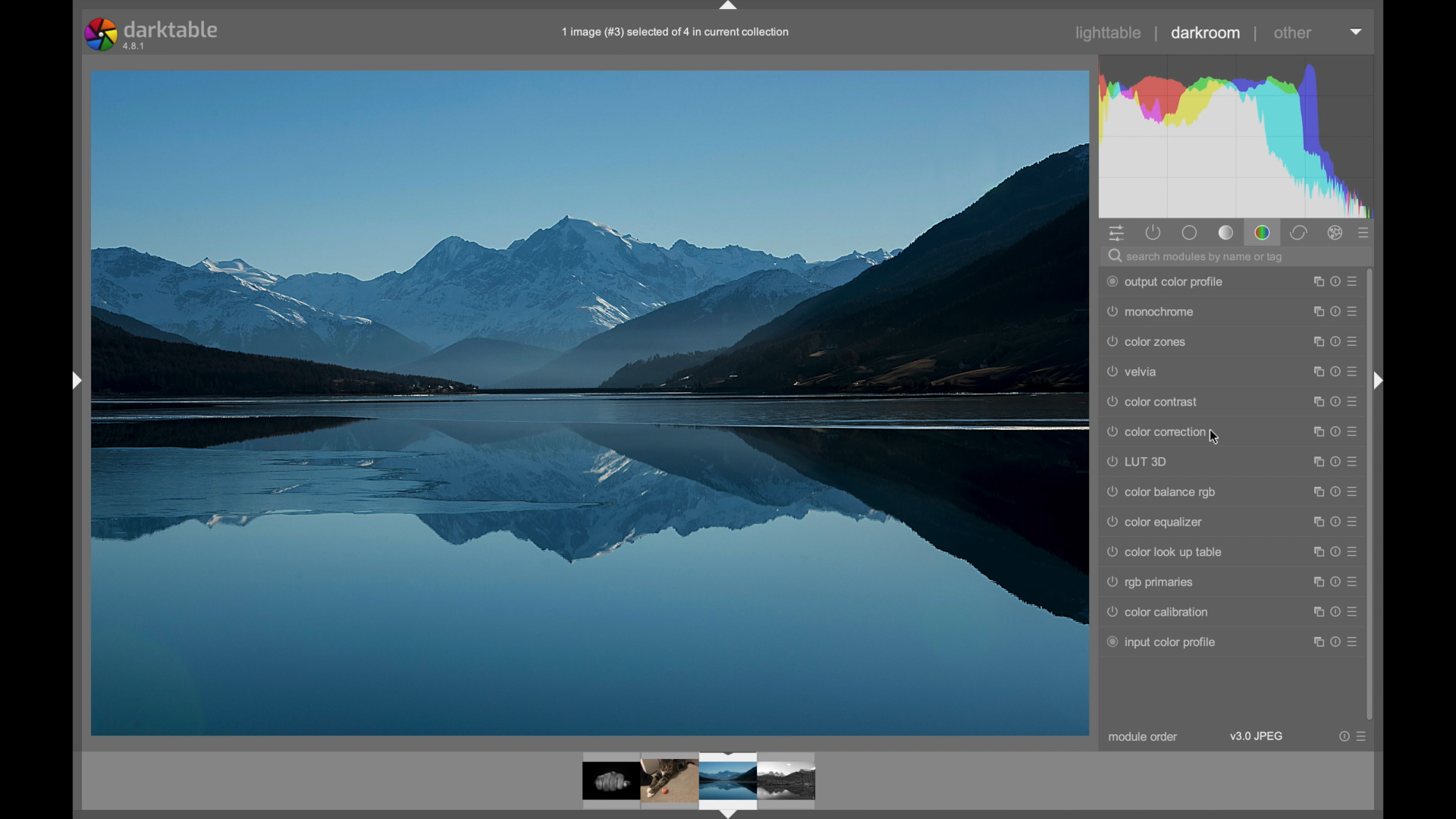 The image size is (1456, 819). Describe the element at coordinates (1257, 736) in the screenshot. I see `v3.0 jpeg` at that location.